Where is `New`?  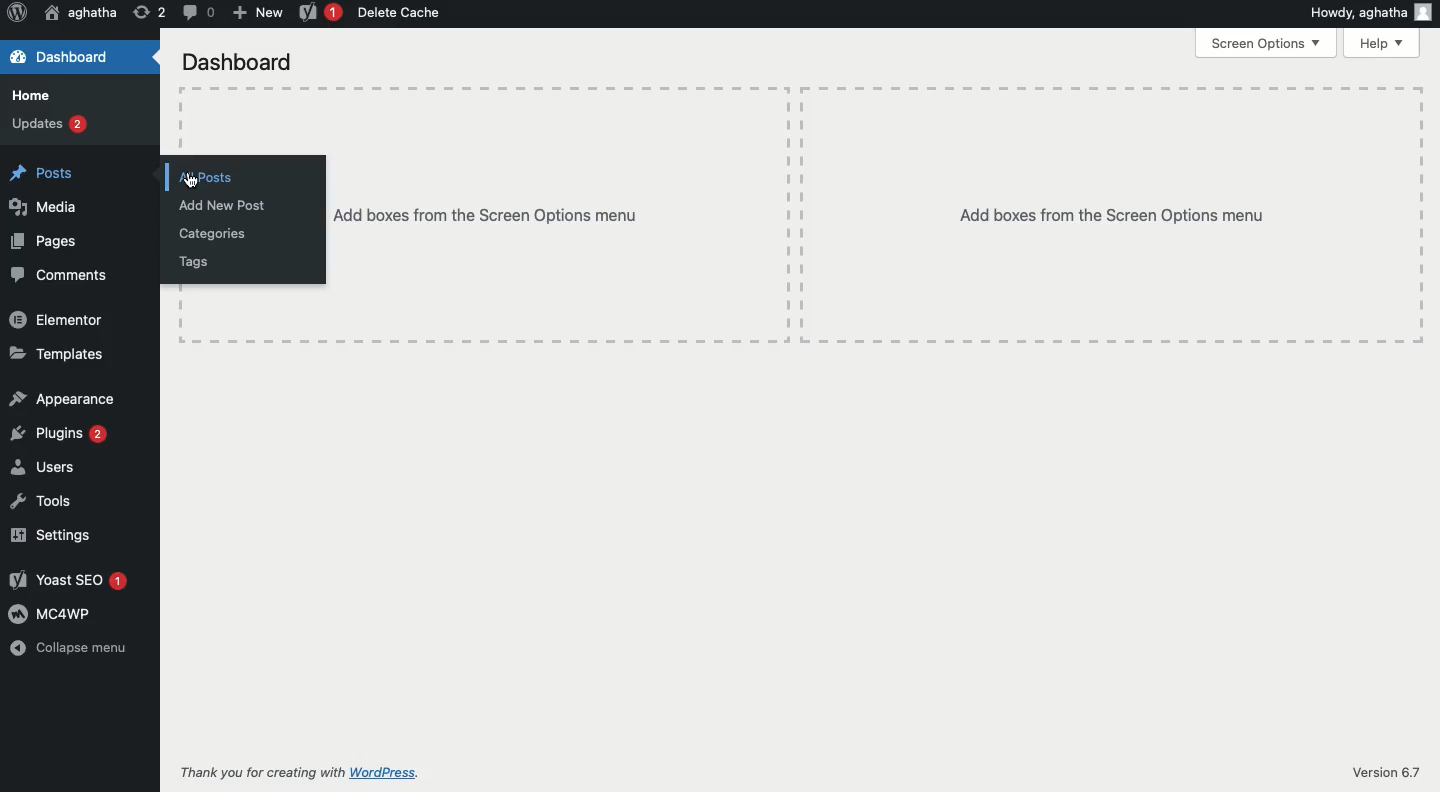
New is located at coordinates (256, 13).